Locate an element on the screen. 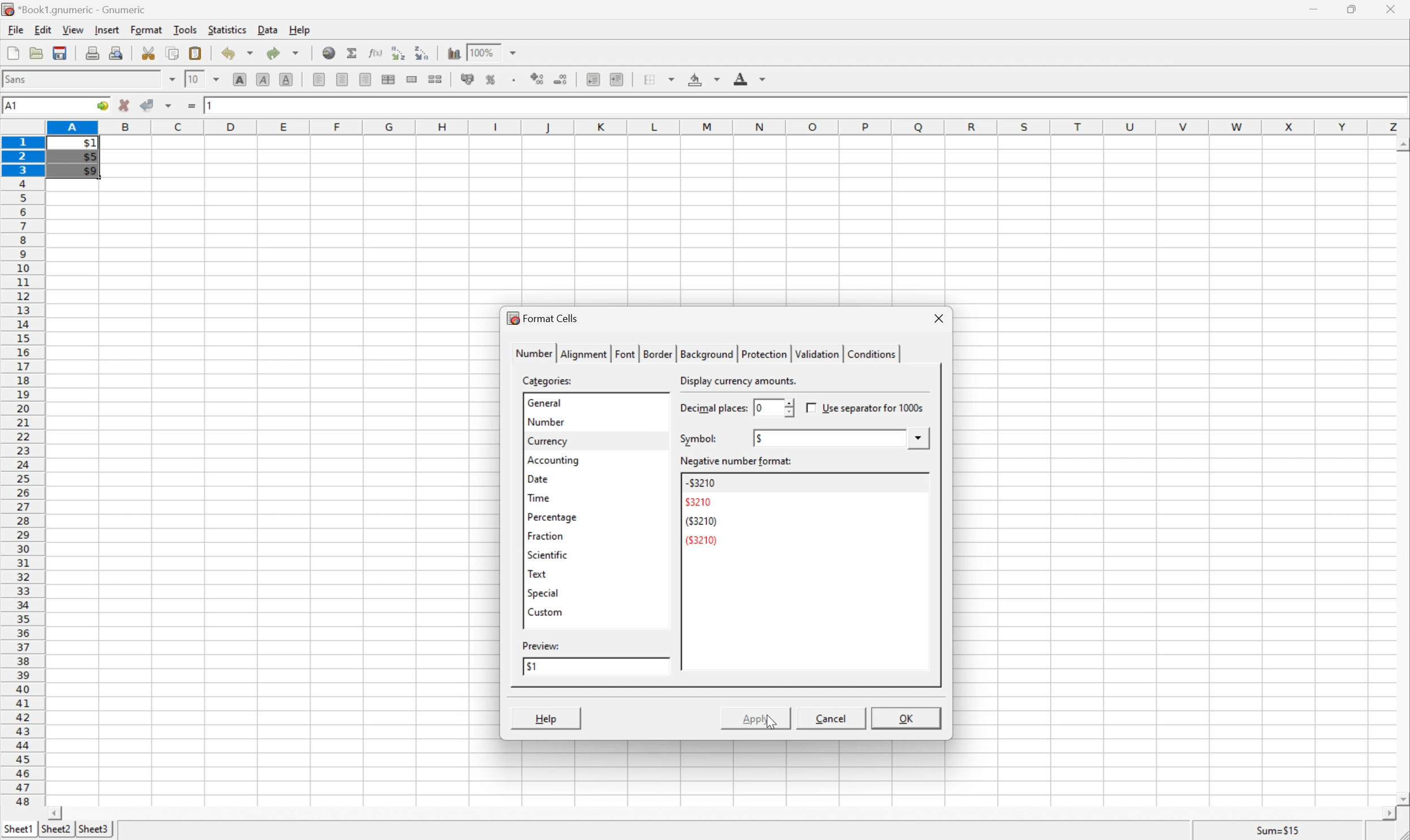 The image size is (1410, 840). 0 is located at coordinates (756, 408).